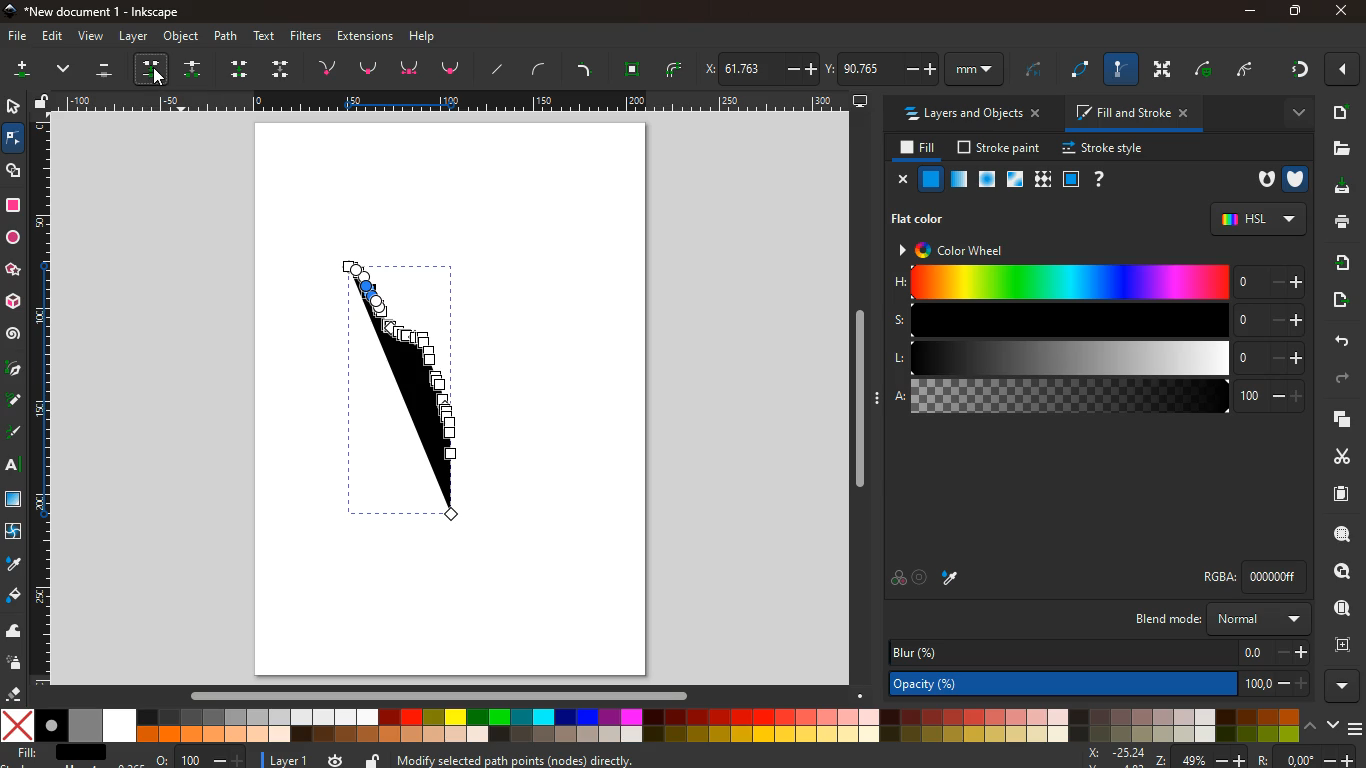  I want to click on glass, so click(1017, 180).